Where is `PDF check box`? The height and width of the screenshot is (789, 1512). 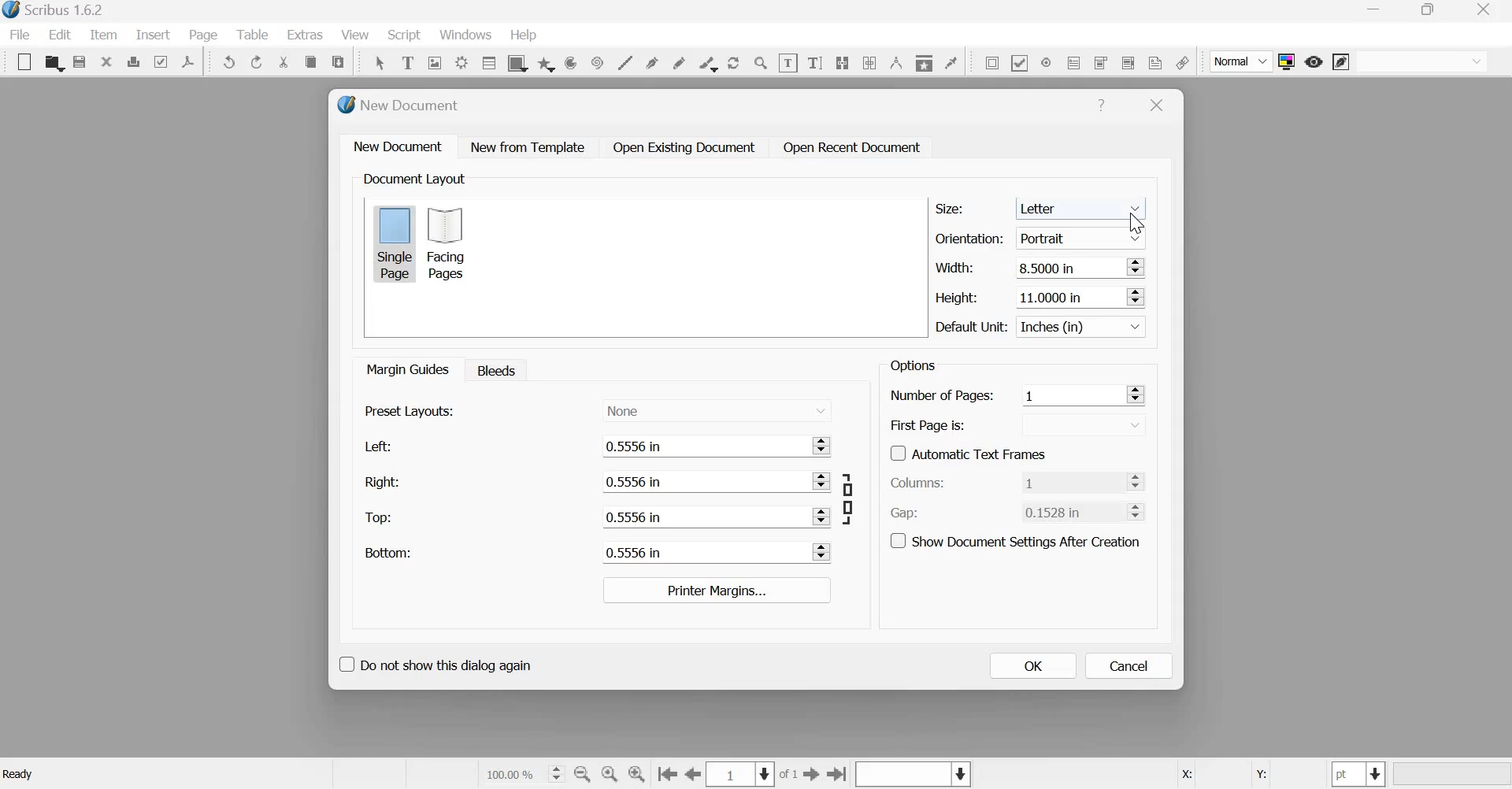
PDF check box is located at coordinates (1019, 61).